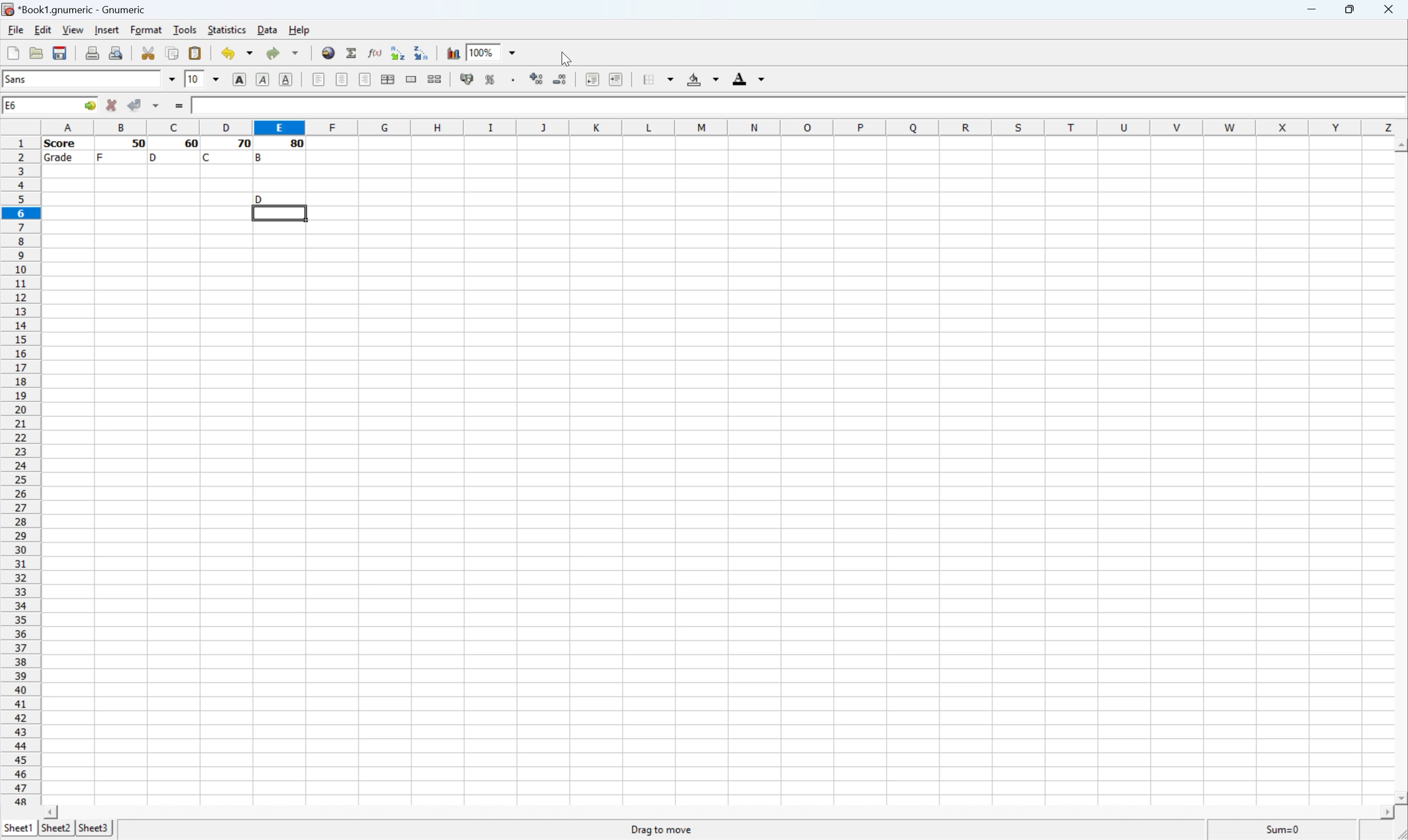 The height and width of the screenshot is (840, 1408). What do you see at coordinates (189, 144) in the screenshot?
I see `60` at bounding box center [189, 144].